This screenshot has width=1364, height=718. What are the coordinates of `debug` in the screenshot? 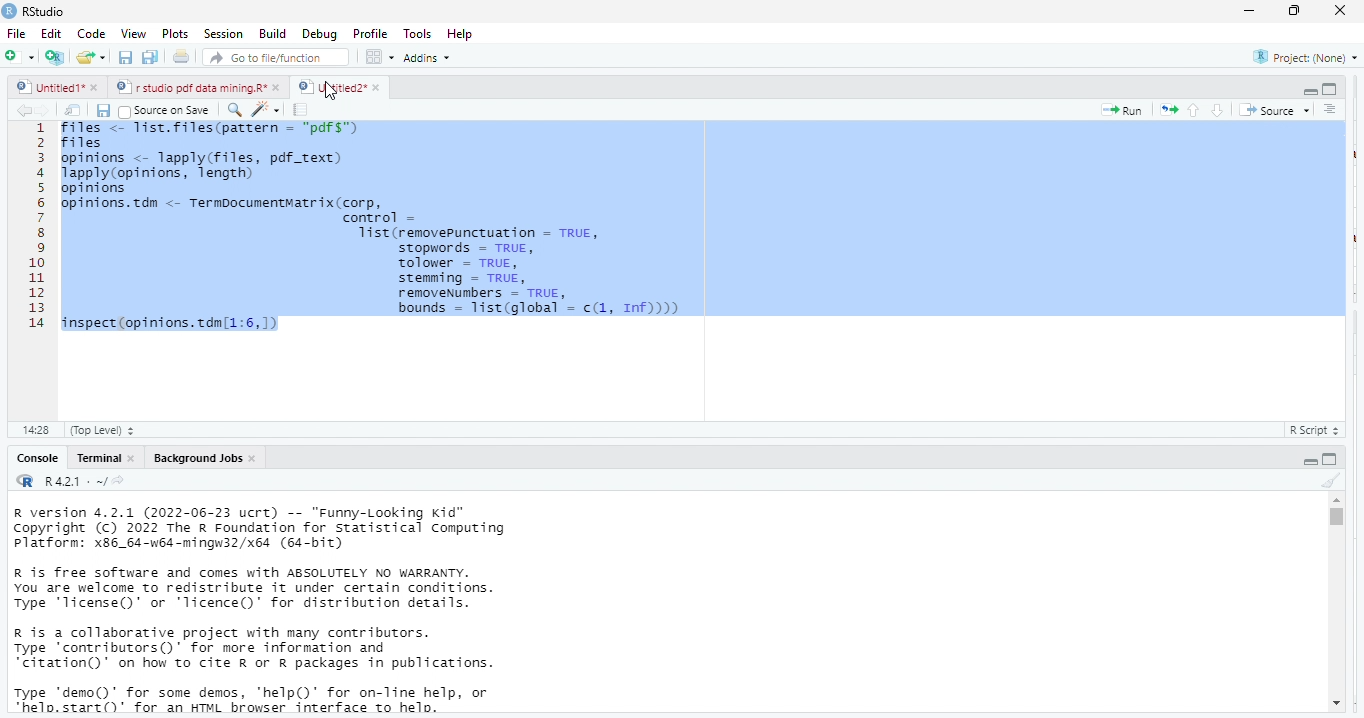 It's located at (317, 33).